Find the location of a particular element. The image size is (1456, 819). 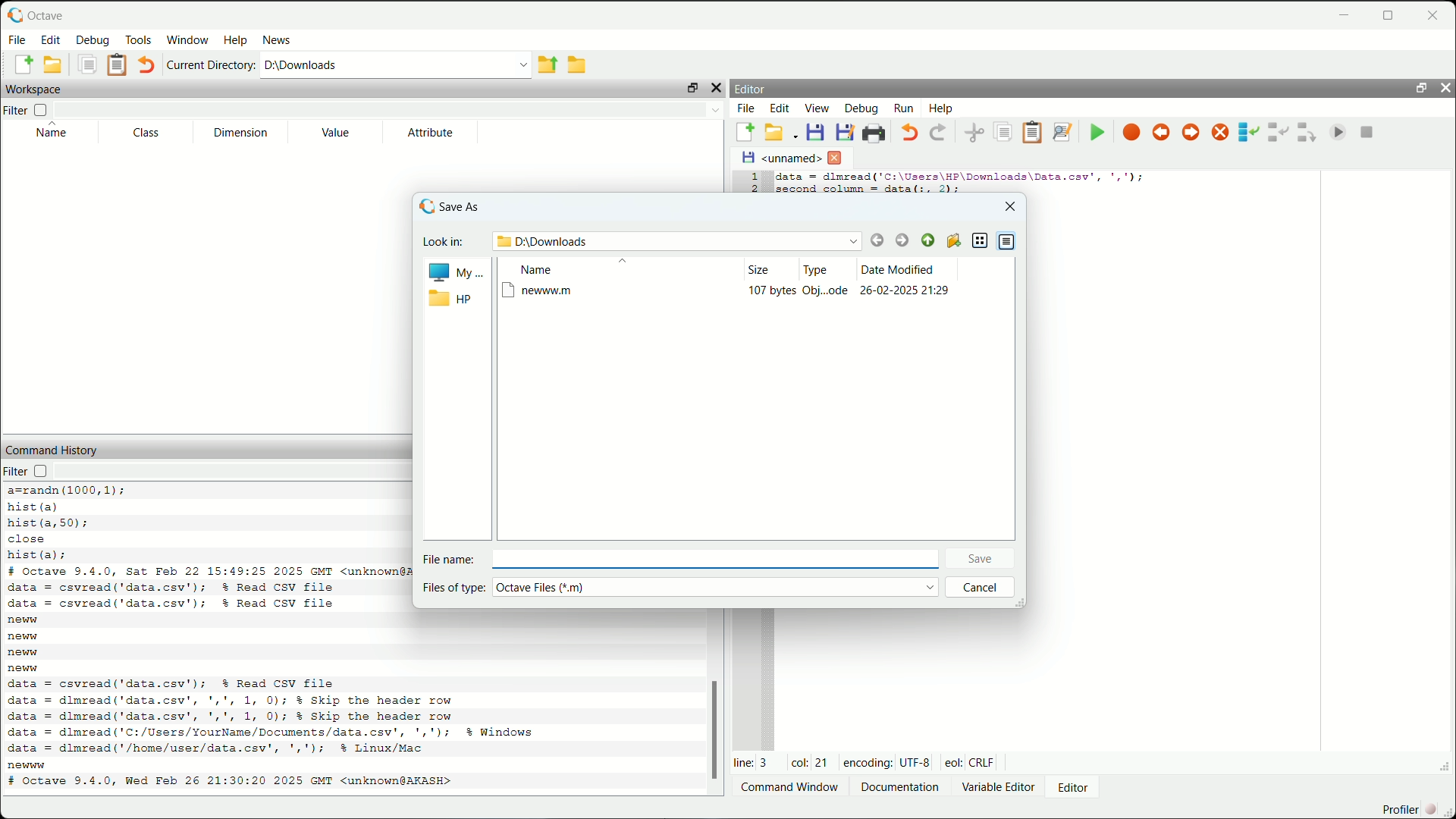

hide widget is located at coordinates (717, 86).